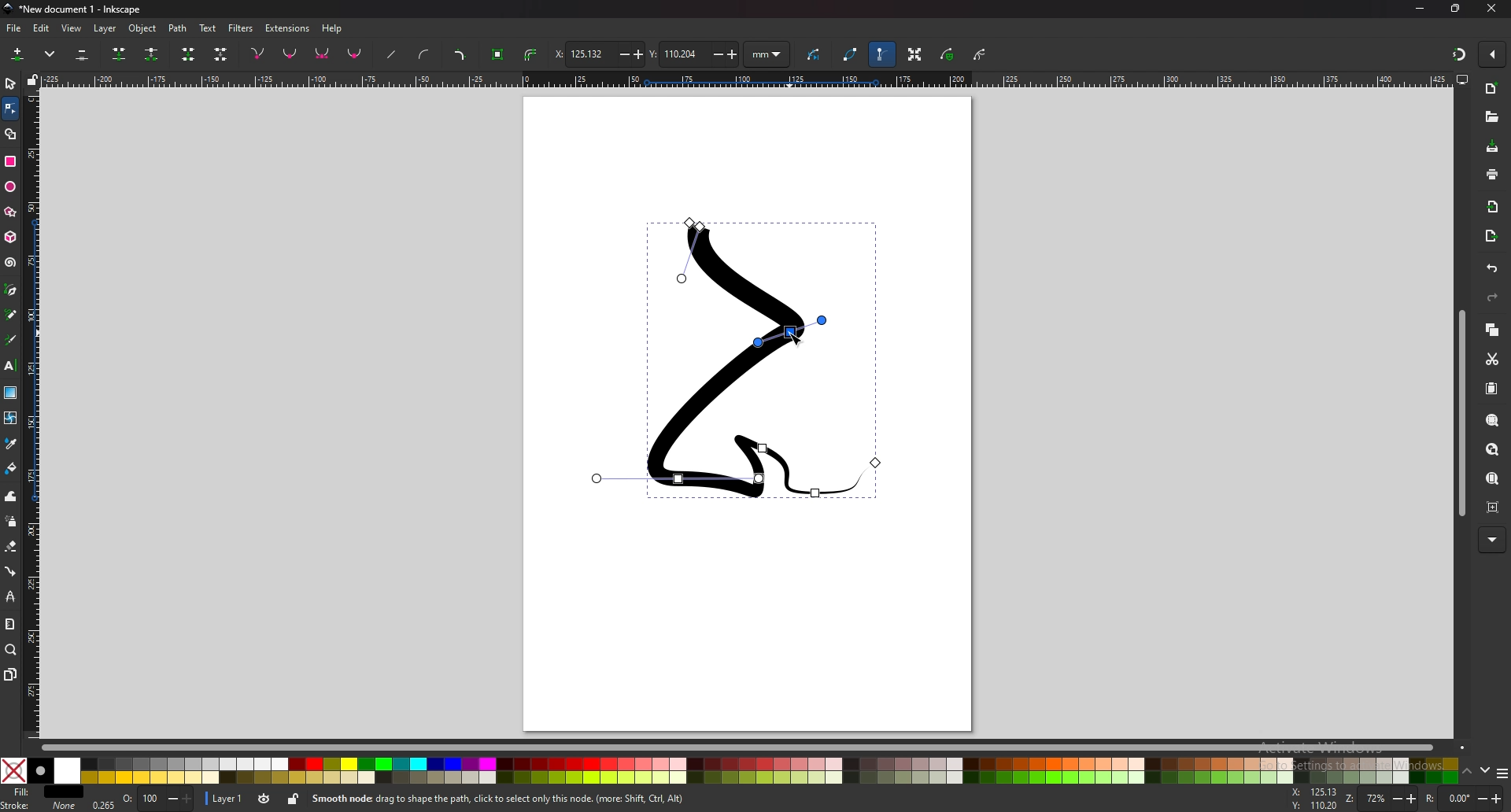 This screenshot has height=812, width=1511. What do you see at coordinates (145, 28) in the screenshot?
I see `object` at bounding box center [145, 28].